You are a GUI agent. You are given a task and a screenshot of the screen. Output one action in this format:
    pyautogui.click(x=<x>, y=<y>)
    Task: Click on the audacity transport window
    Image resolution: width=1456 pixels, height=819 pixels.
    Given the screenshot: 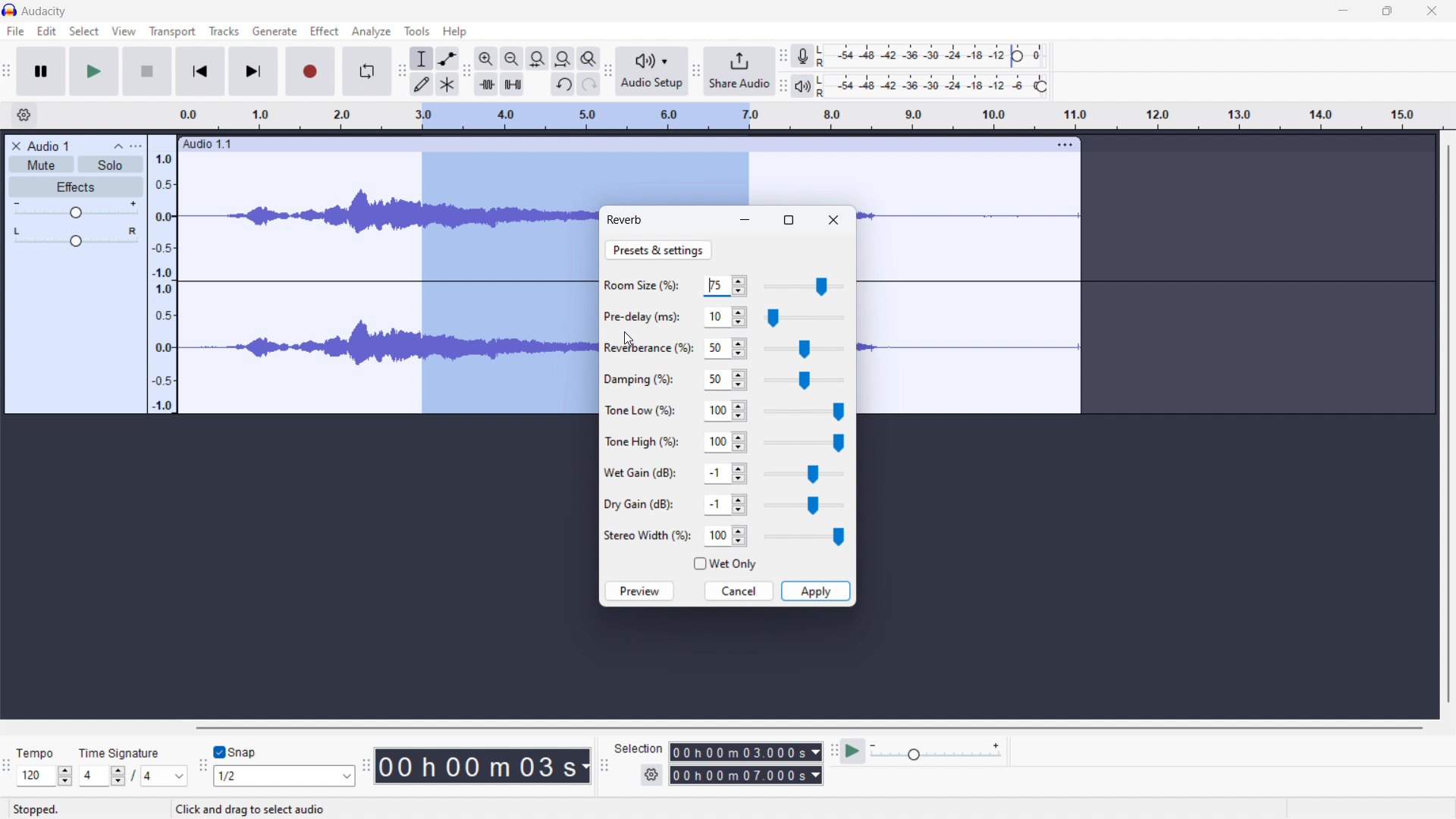 What is the action you would take?
    pyautogui.click(x=7, y=70)
    